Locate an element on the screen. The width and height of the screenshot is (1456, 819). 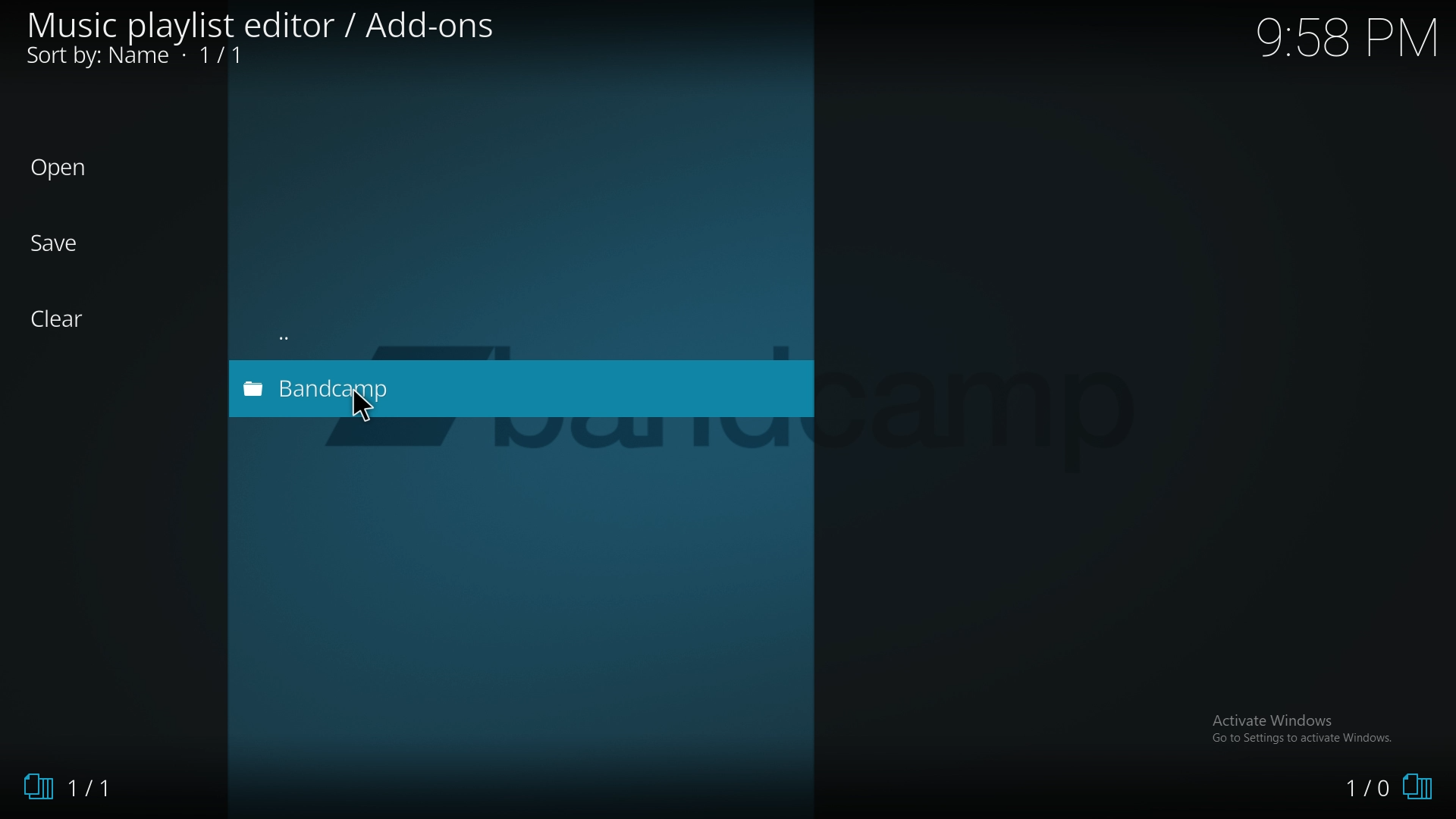
1/0 is located at coordinates (1386, 789).